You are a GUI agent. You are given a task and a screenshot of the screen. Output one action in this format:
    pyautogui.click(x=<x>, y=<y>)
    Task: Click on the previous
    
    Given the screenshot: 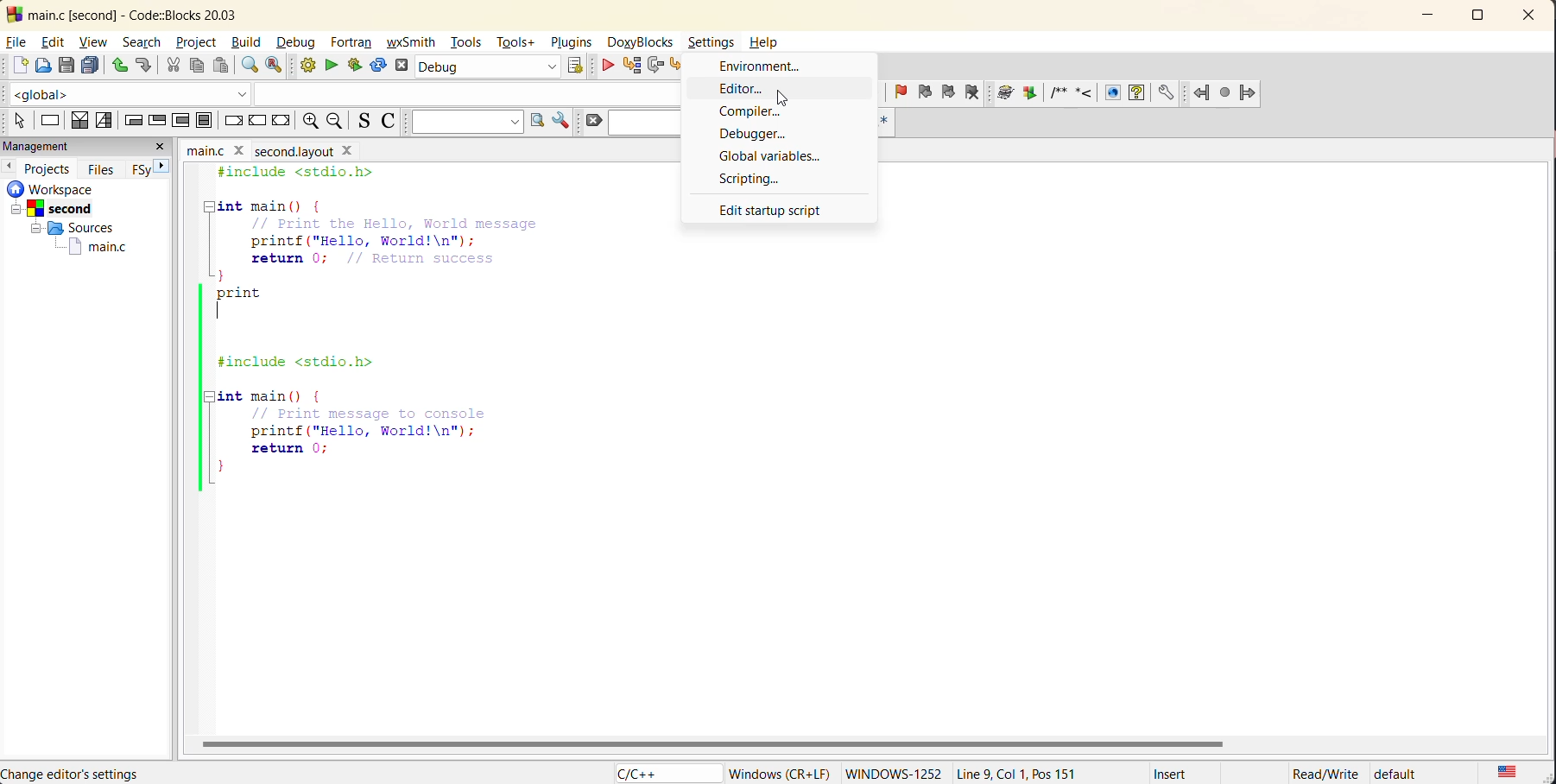 What is the action you would take?
    pyautogui.click(x=10, y=166)
    